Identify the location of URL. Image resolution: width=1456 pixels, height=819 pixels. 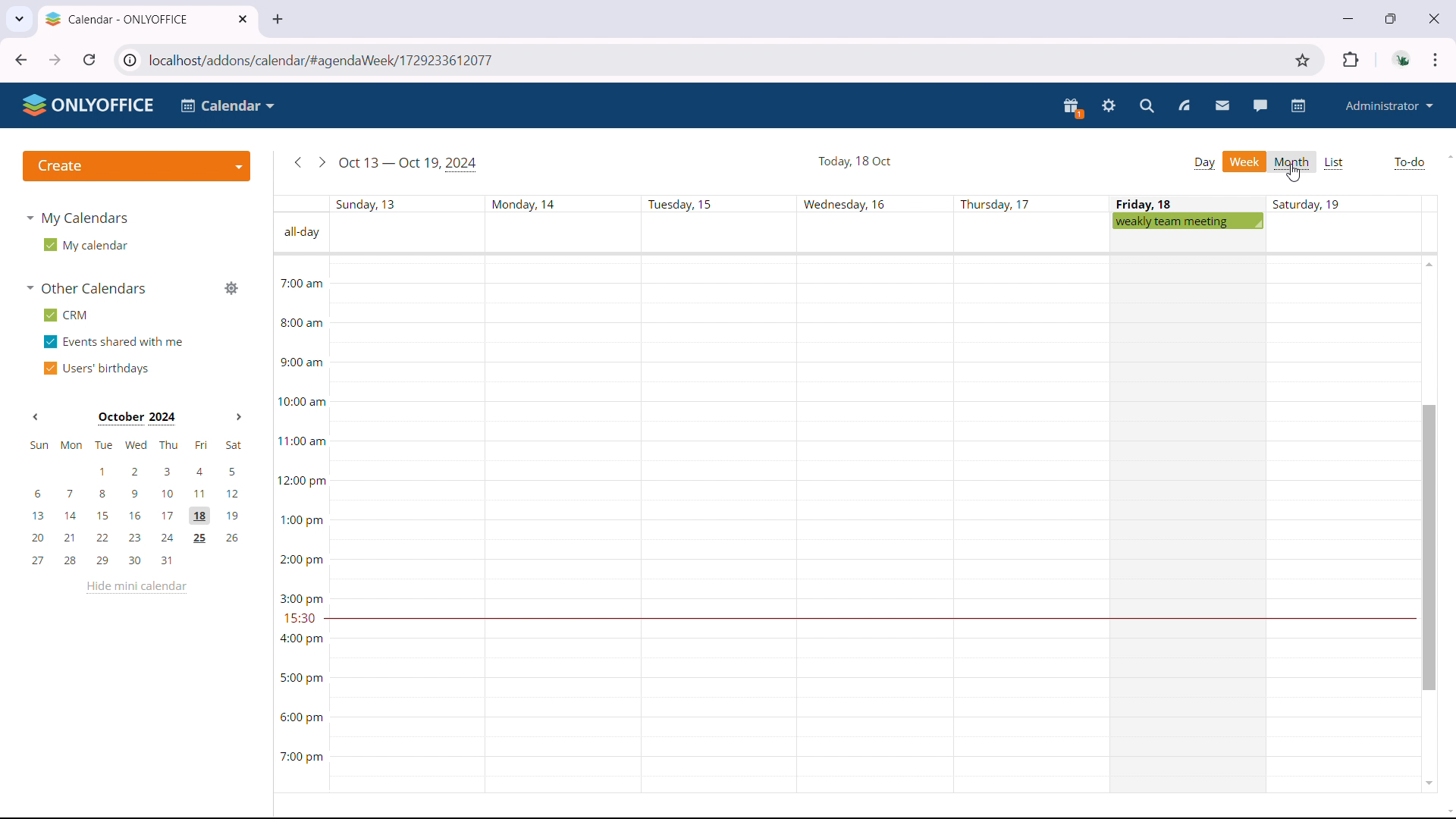
(711, 60).